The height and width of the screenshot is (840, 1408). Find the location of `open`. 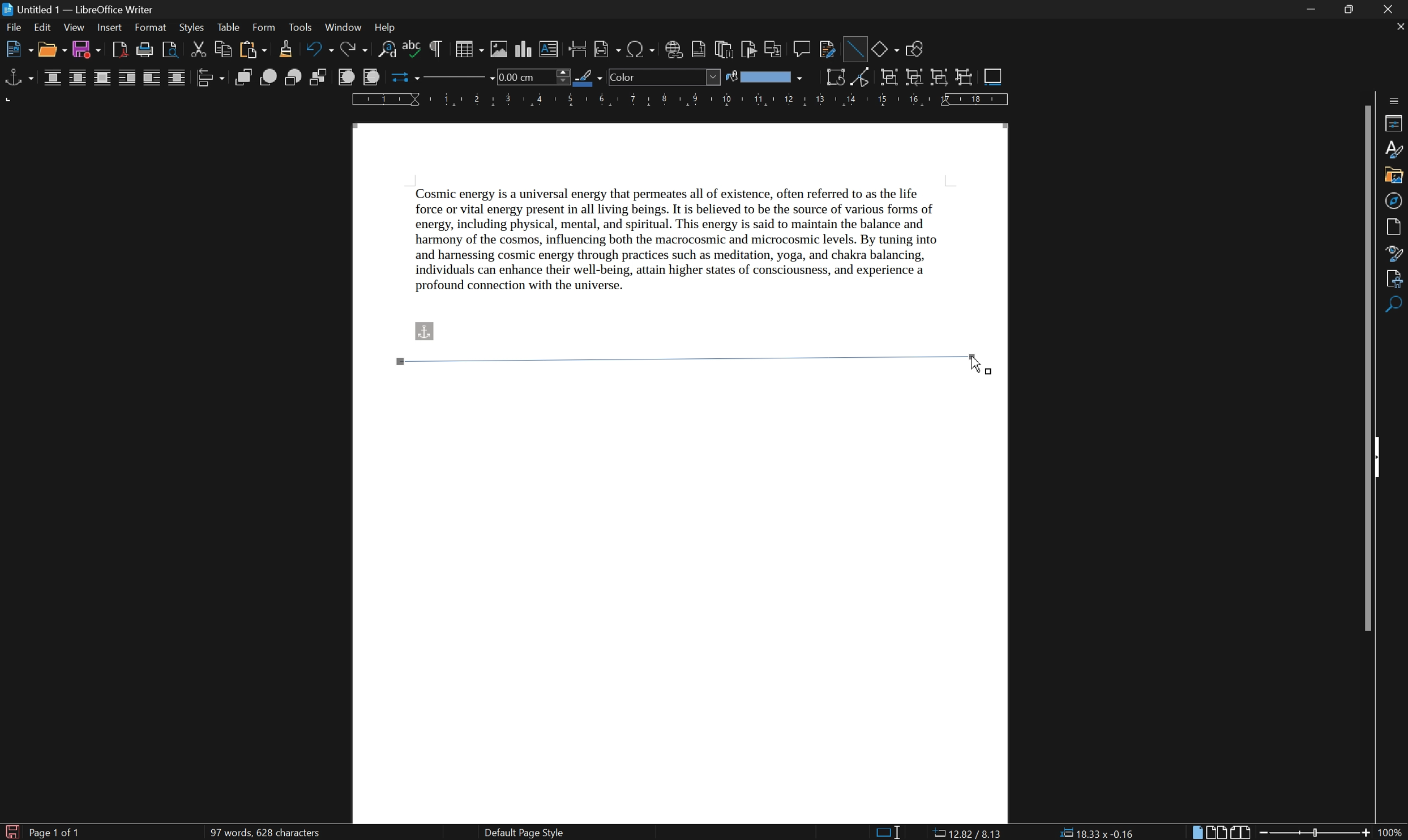

open is located at coordinates (53, 50).